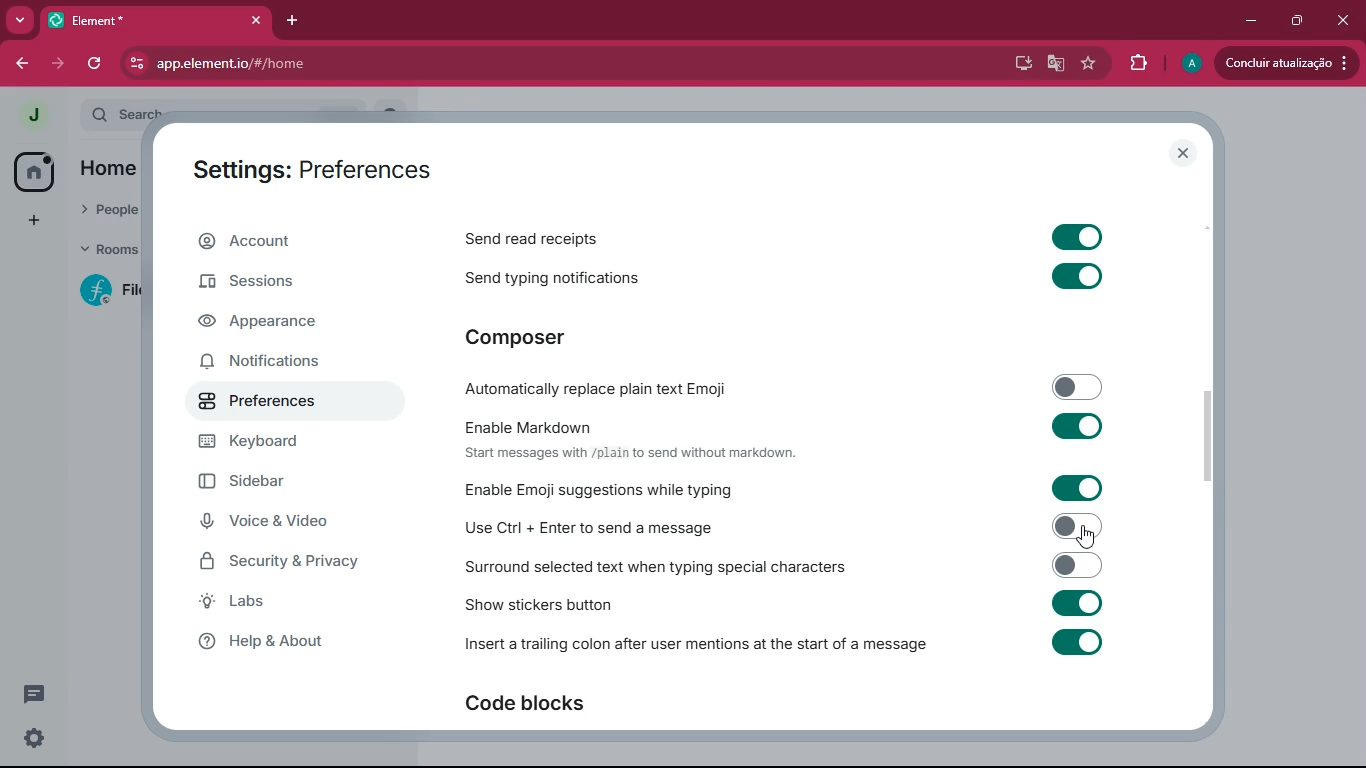 The width and height of the screenshot is (1366, 768). What do you see at coordinates (1054, 66) in the screenshot?
I see `google translate` at bounding box center [1054, 66].